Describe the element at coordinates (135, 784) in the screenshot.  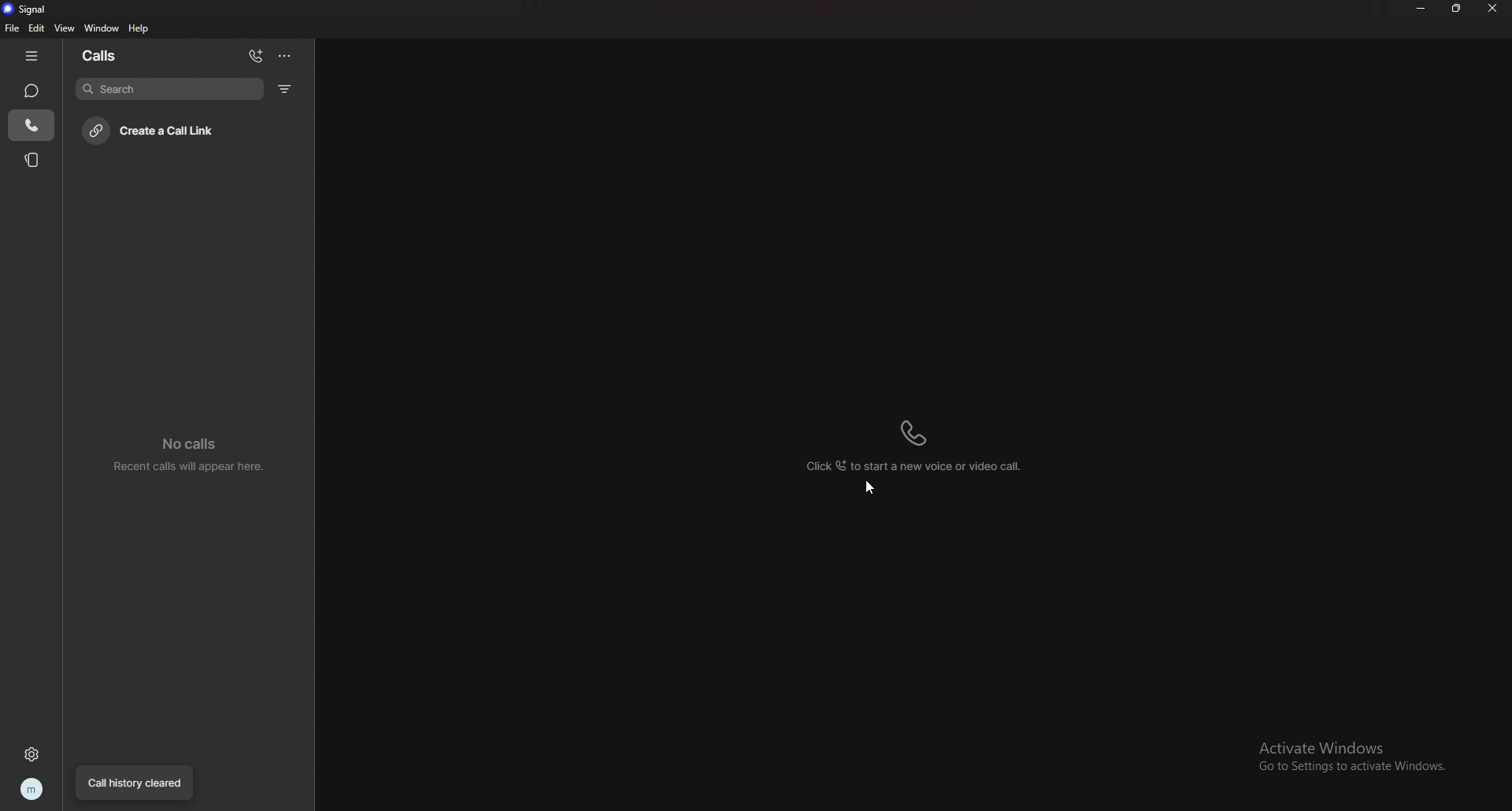
I see `call history cleared` at that location.